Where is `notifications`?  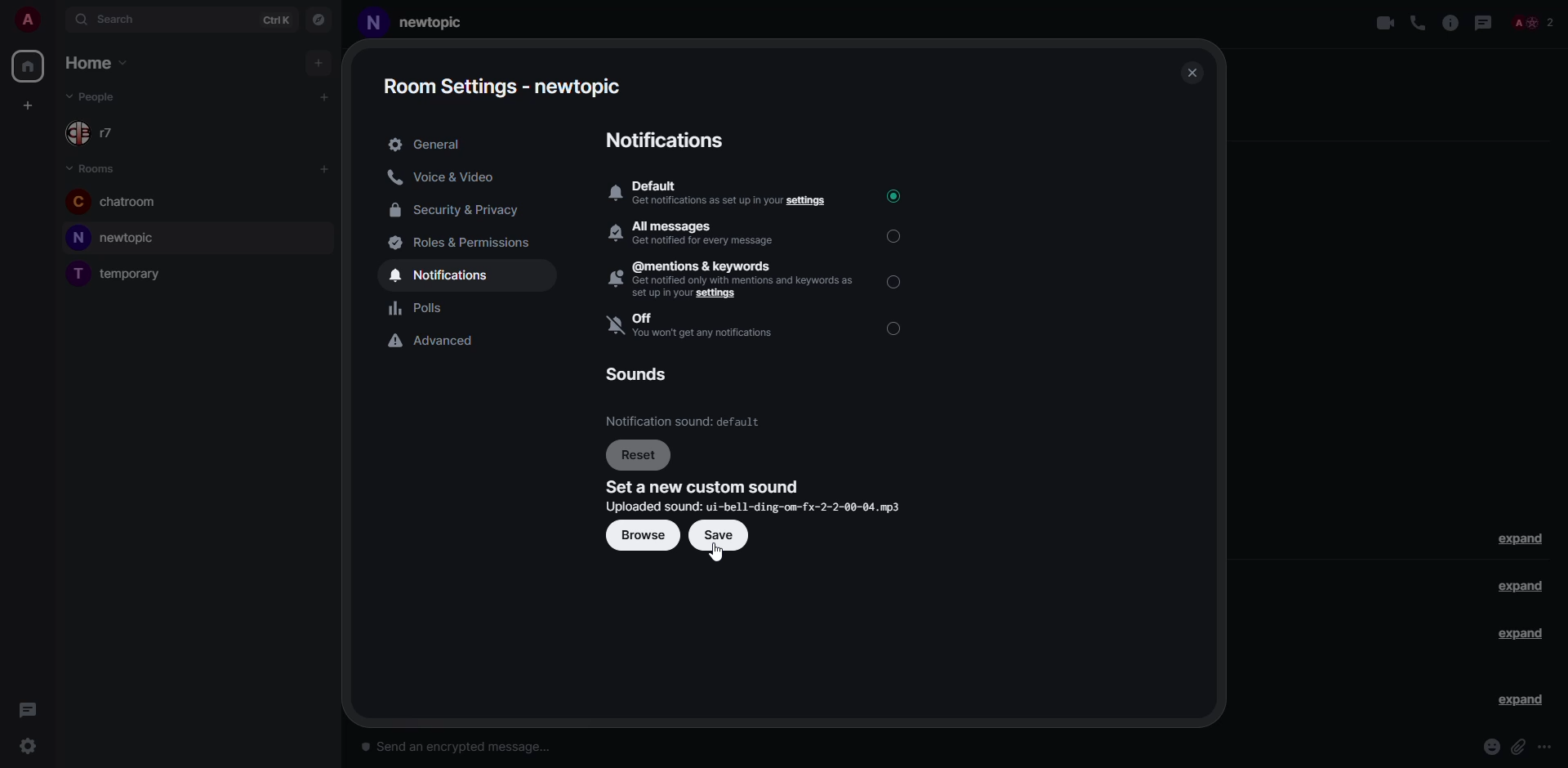 notifications is located at coordinates (443, 275).